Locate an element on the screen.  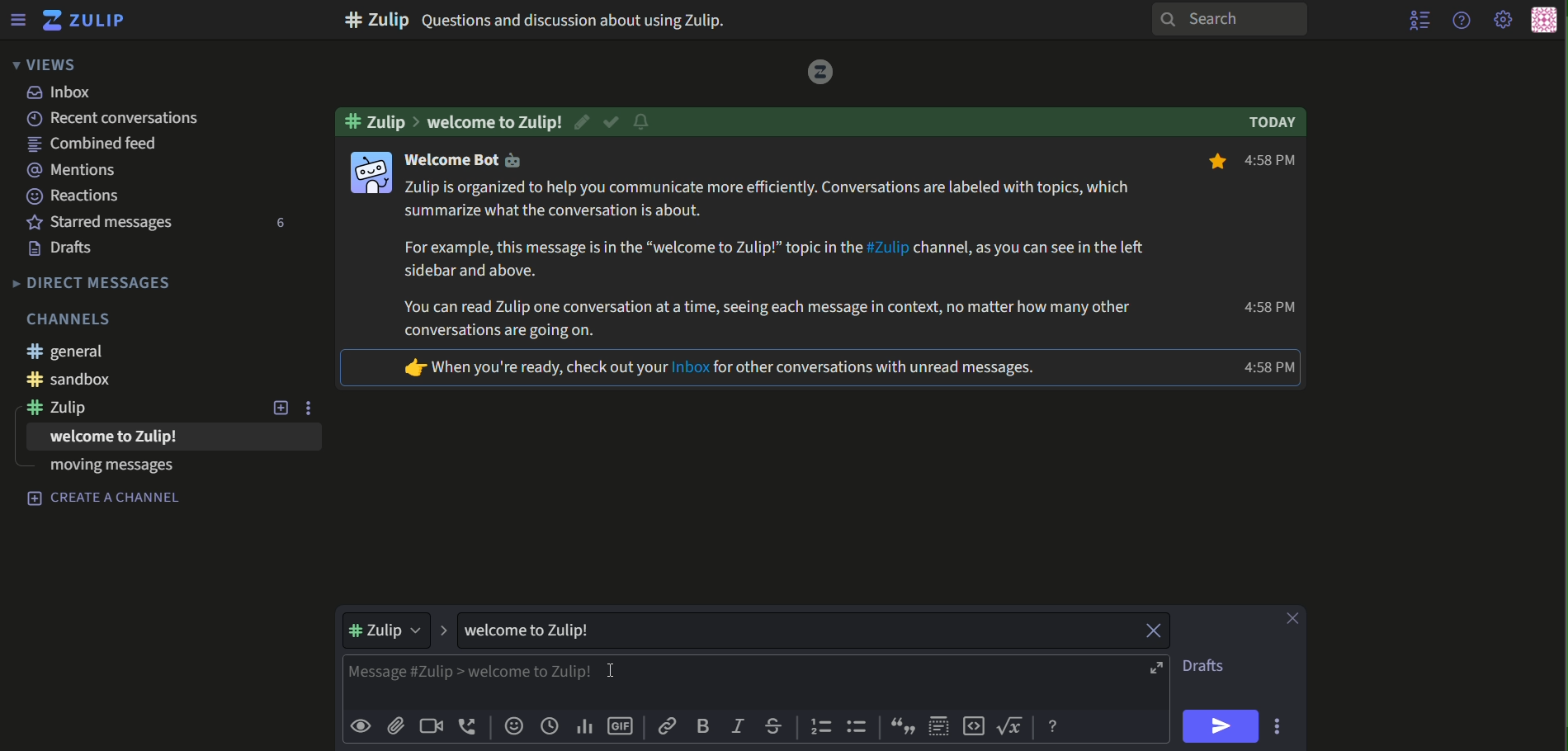
options is located at coordinates (314, 408).